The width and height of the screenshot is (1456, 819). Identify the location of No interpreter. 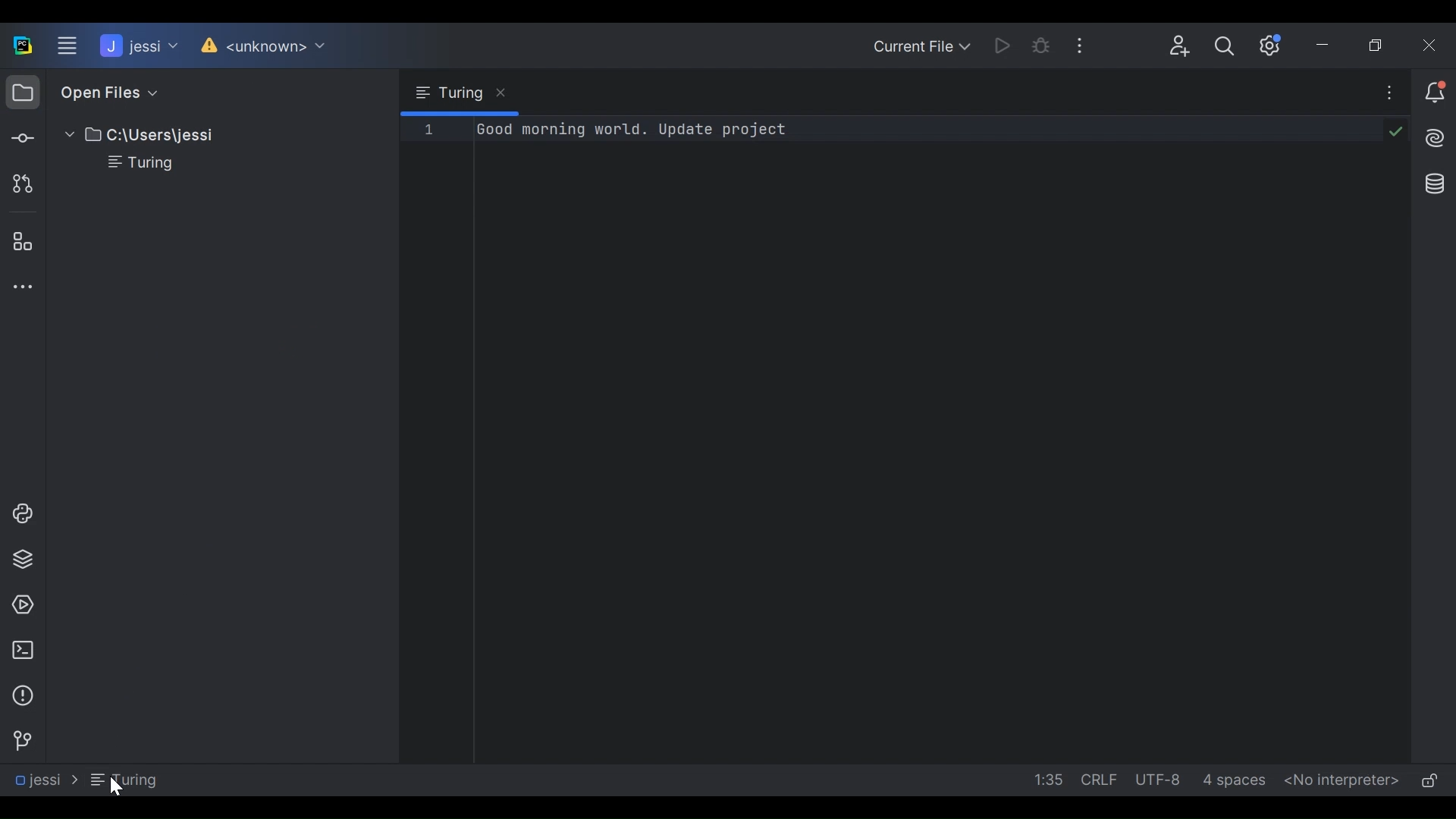
(1342, 780).